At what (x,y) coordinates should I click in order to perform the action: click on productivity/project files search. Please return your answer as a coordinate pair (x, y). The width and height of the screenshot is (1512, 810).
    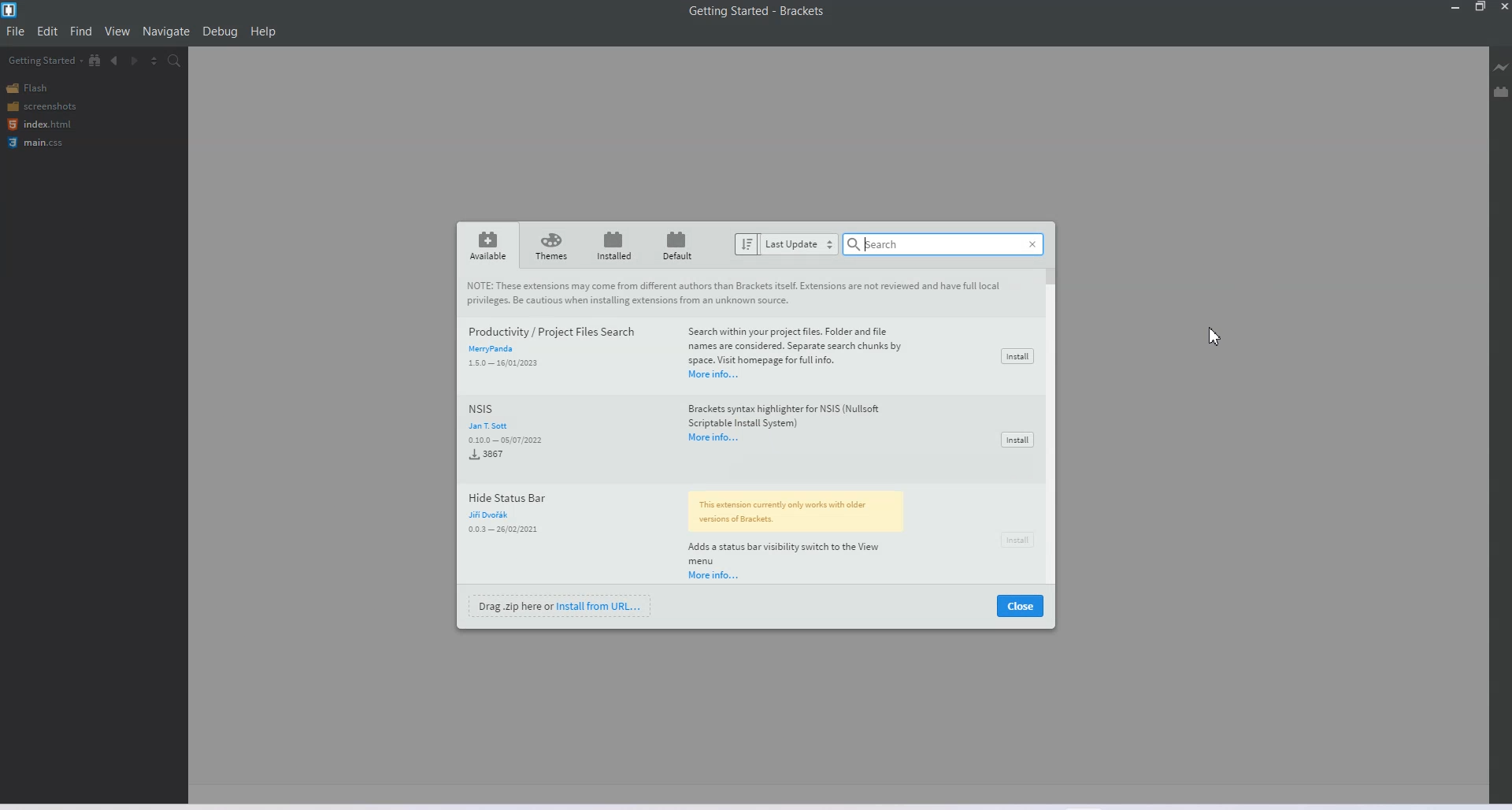
    Looking at the image, I should click on (550, 333).